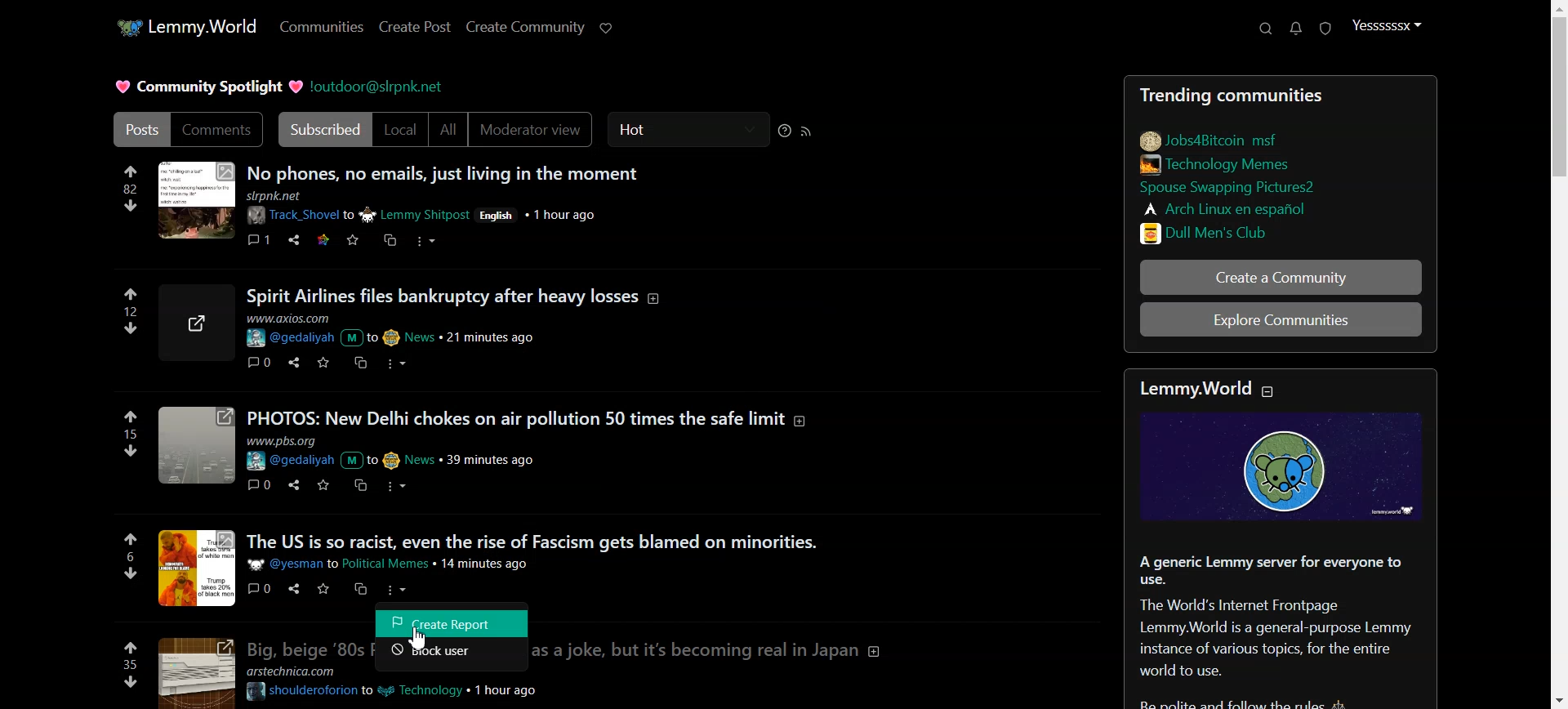 This screenshot has height=709, width=1568. Describe the element at coordinates (1229, 207) in the screenshot. I see `link` at that location.